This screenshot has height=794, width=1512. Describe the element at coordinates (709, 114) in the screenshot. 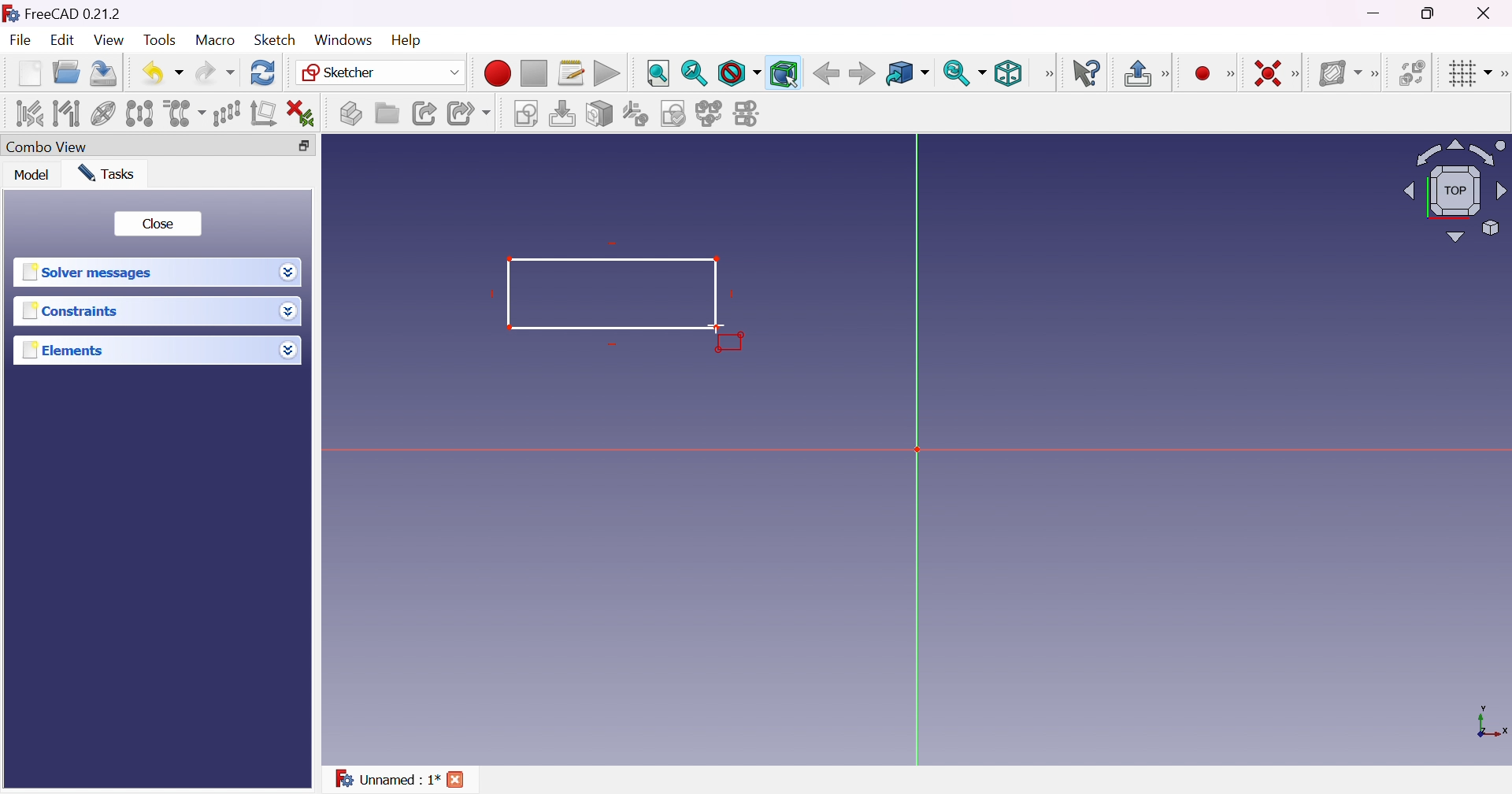

I see `Merge sketches` at that location.